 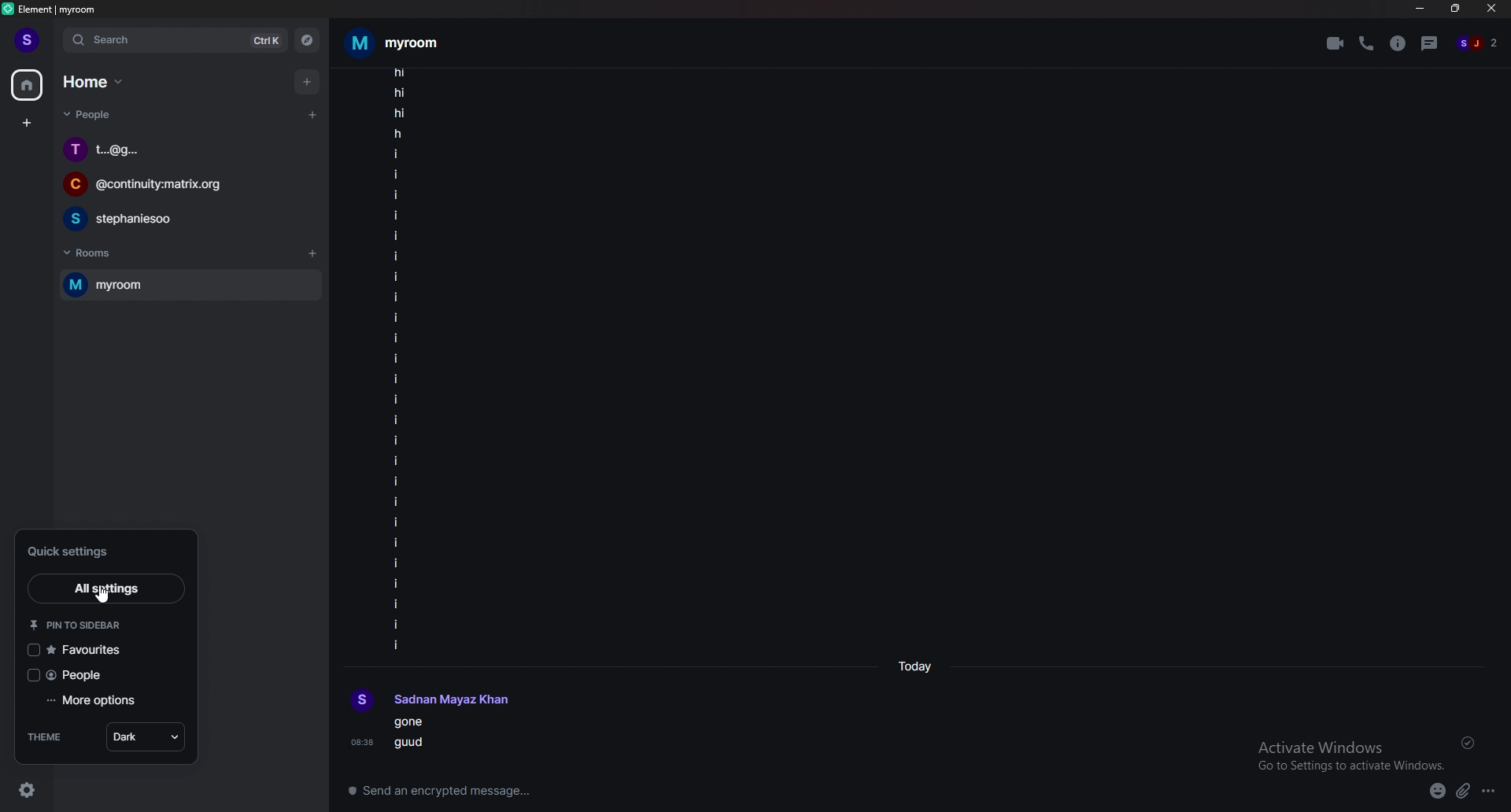 What do you see at coordinates (28, 86) in the screenshot?
I see `home` at bounding box center [28, 86].